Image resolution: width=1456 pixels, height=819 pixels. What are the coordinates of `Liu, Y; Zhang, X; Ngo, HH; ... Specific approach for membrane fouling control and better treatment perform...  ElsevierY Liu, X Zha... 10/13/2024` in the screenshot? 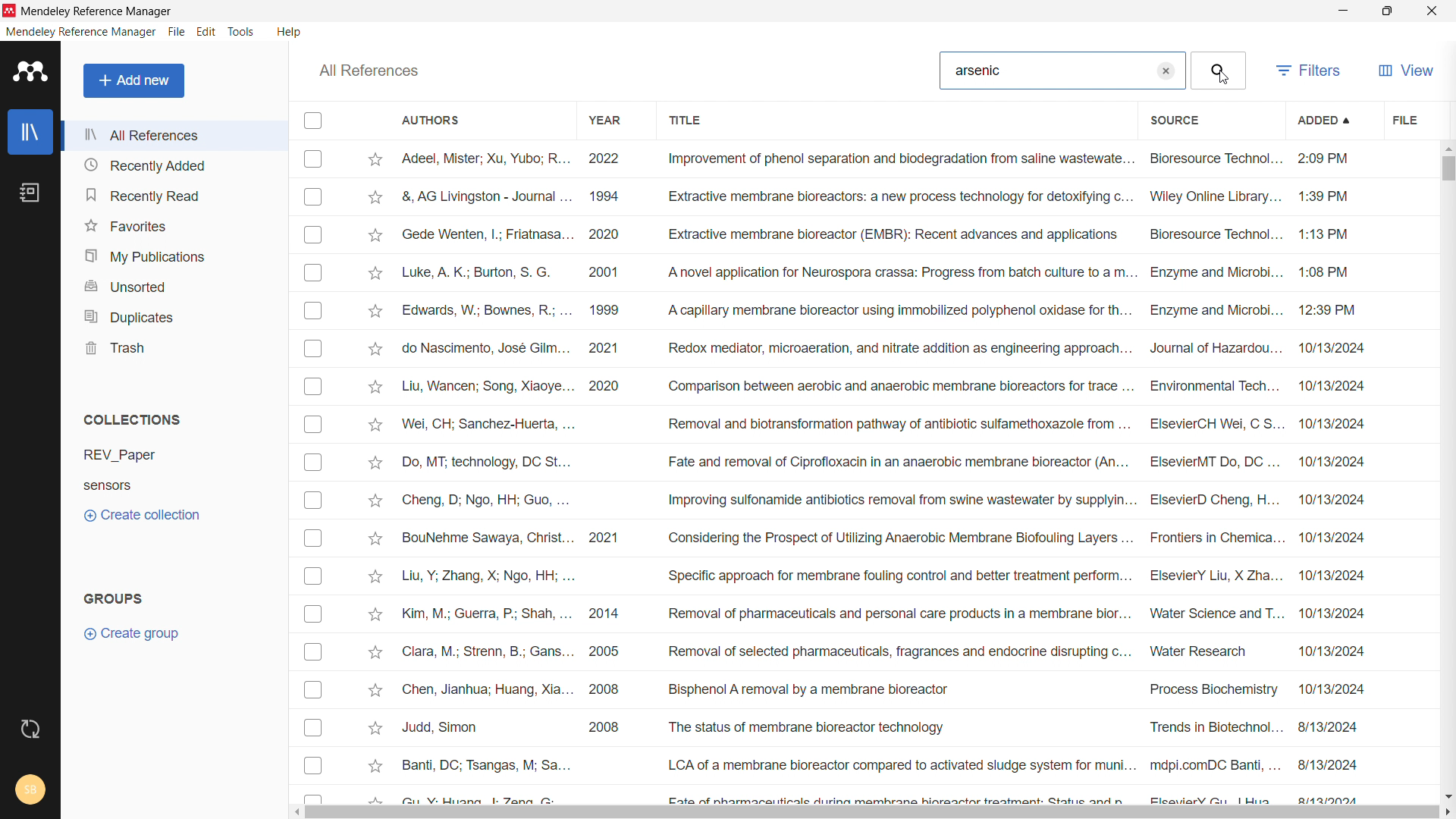 It's located at (883, 574).